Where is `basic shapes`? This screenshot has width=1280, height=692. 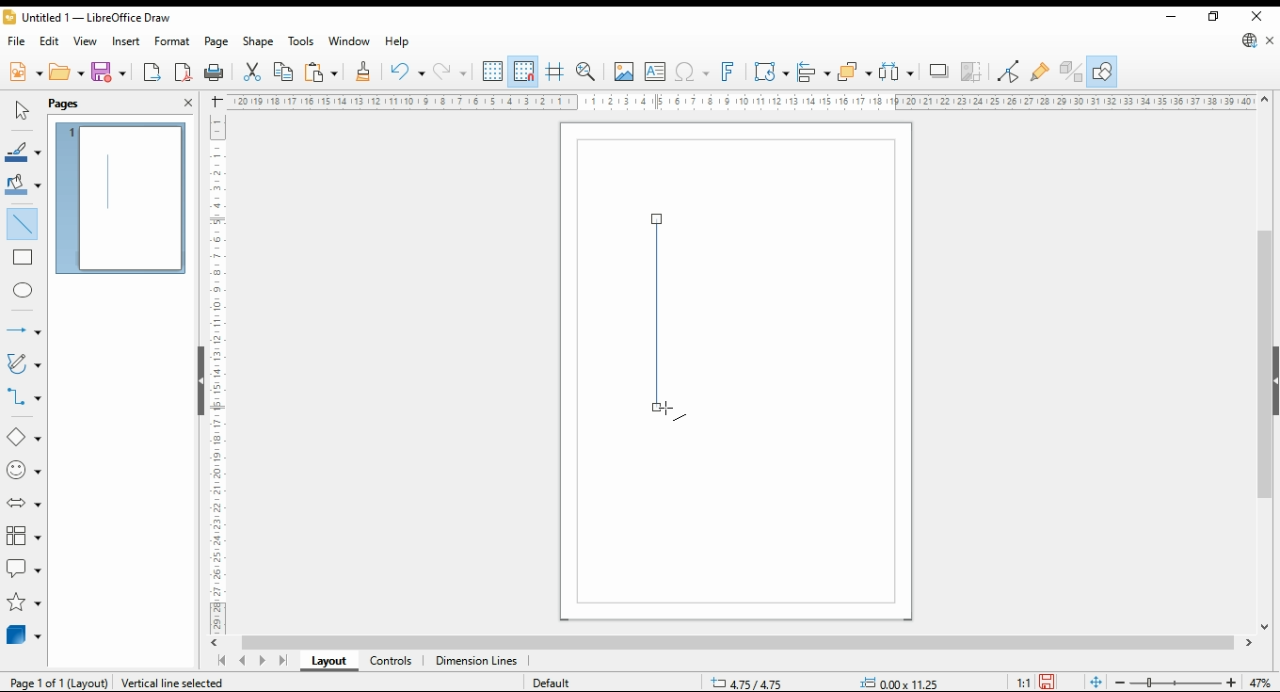 basic shapes is located at coordinates (22, 437).